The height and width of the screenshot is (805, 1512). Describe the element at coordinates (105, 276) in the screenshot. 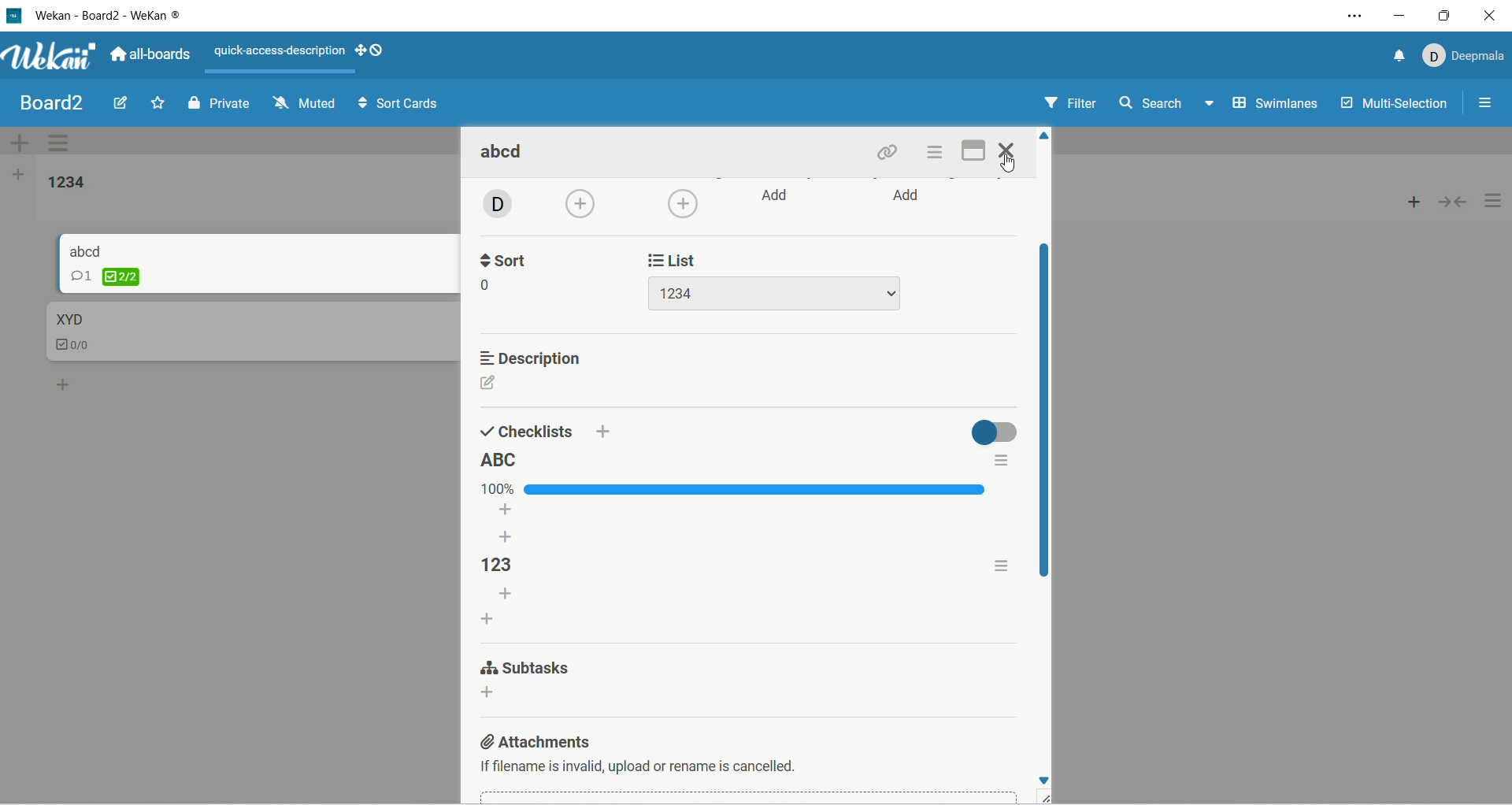

I see `checklist` at that location.